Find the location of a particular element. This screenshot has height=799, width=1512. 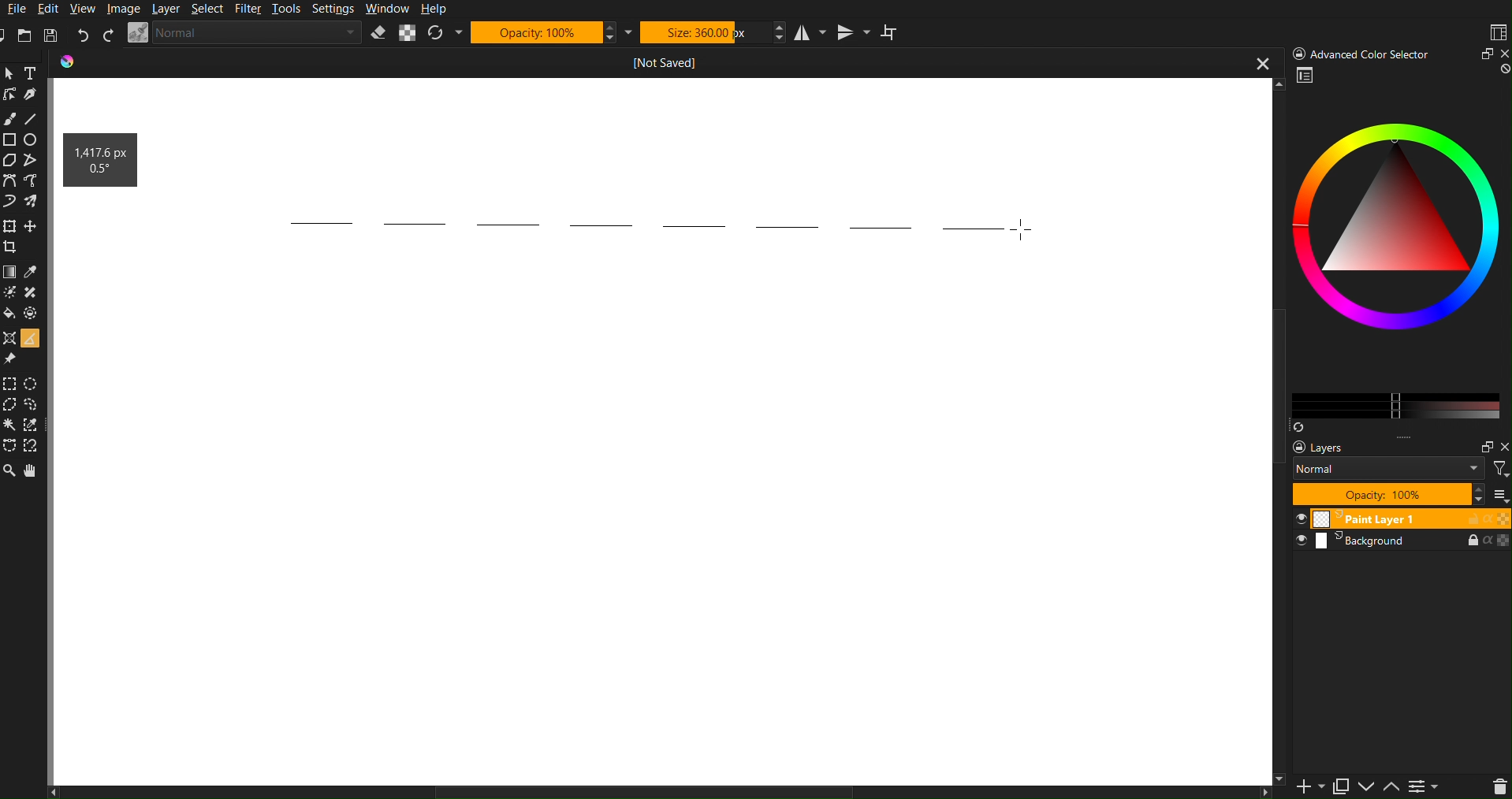

Tools is located at coordinates (289, 10).